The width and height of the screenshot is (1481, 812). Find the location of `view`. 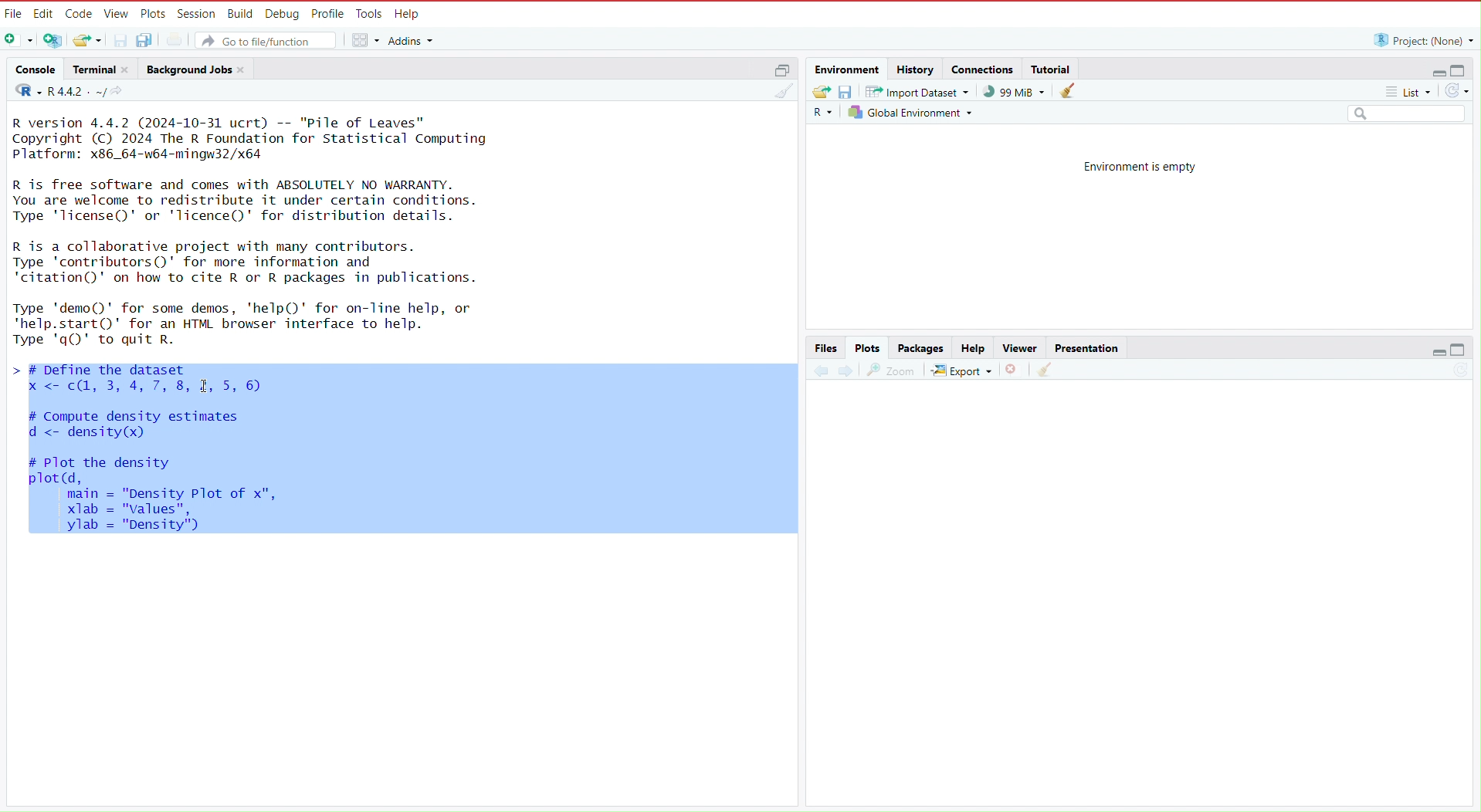

view is located at coordinates (117, 12).